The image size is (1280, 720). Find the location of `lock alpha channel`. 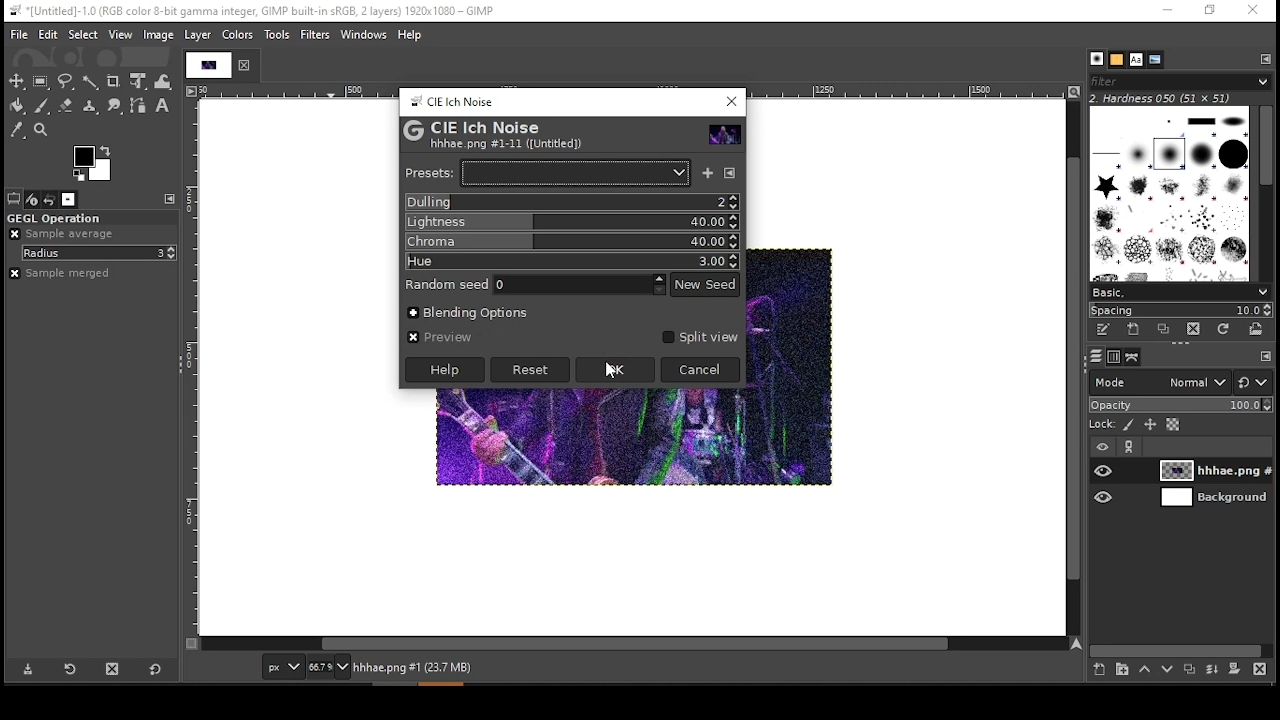

lock alpha channel is located at coordinates (1176, 426).